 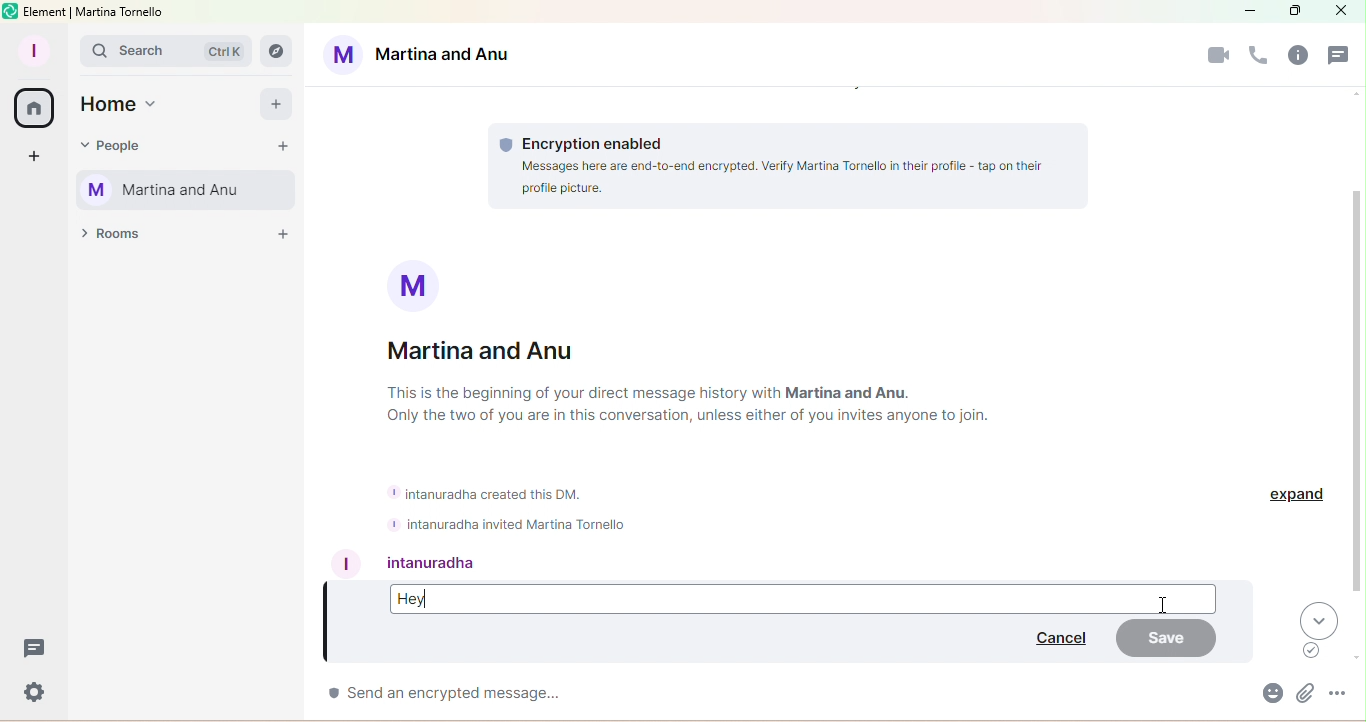 I want to click on Martina tornello, so click(x=121, y=13).